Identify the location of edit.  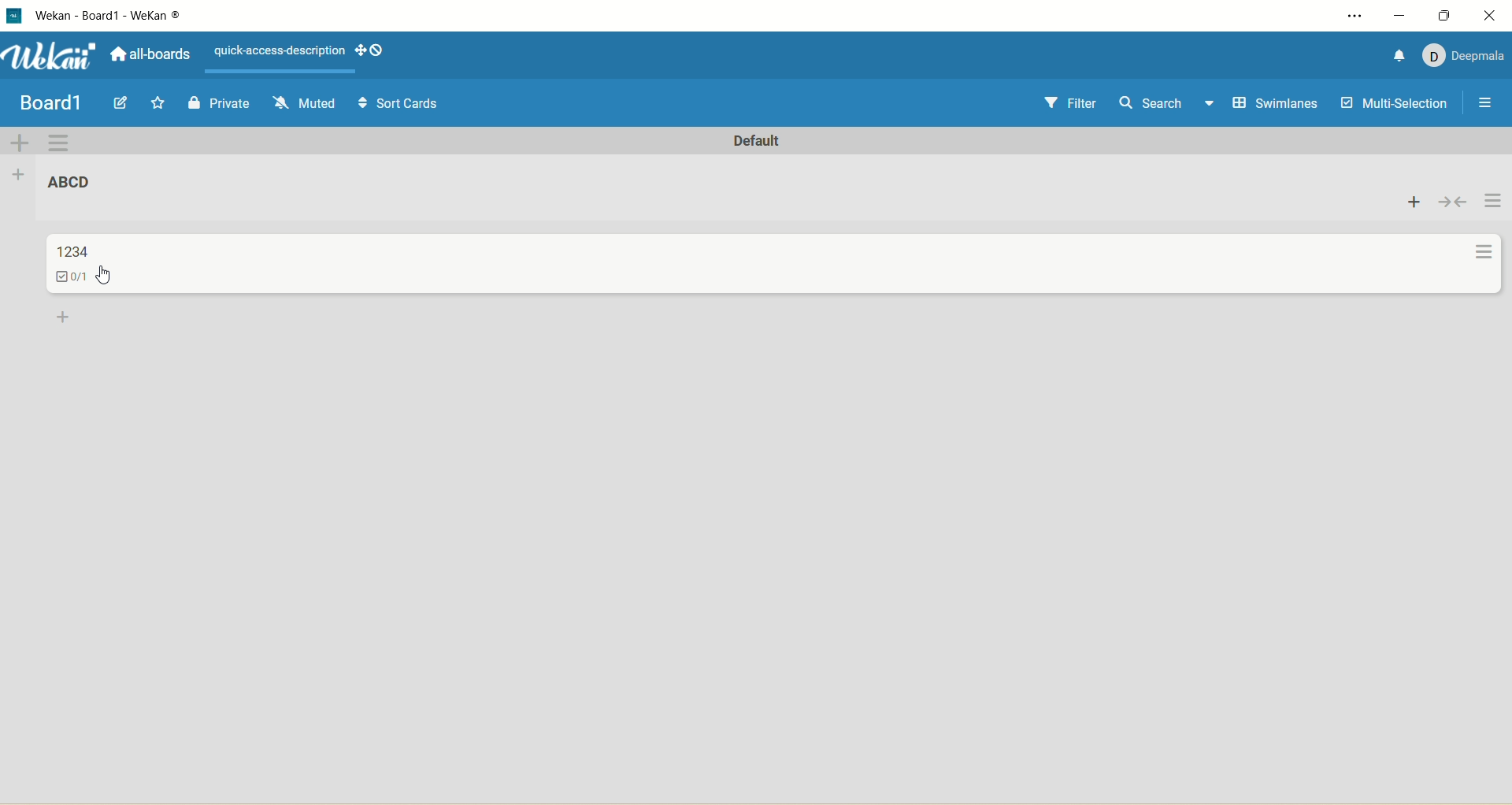
(124, 103).